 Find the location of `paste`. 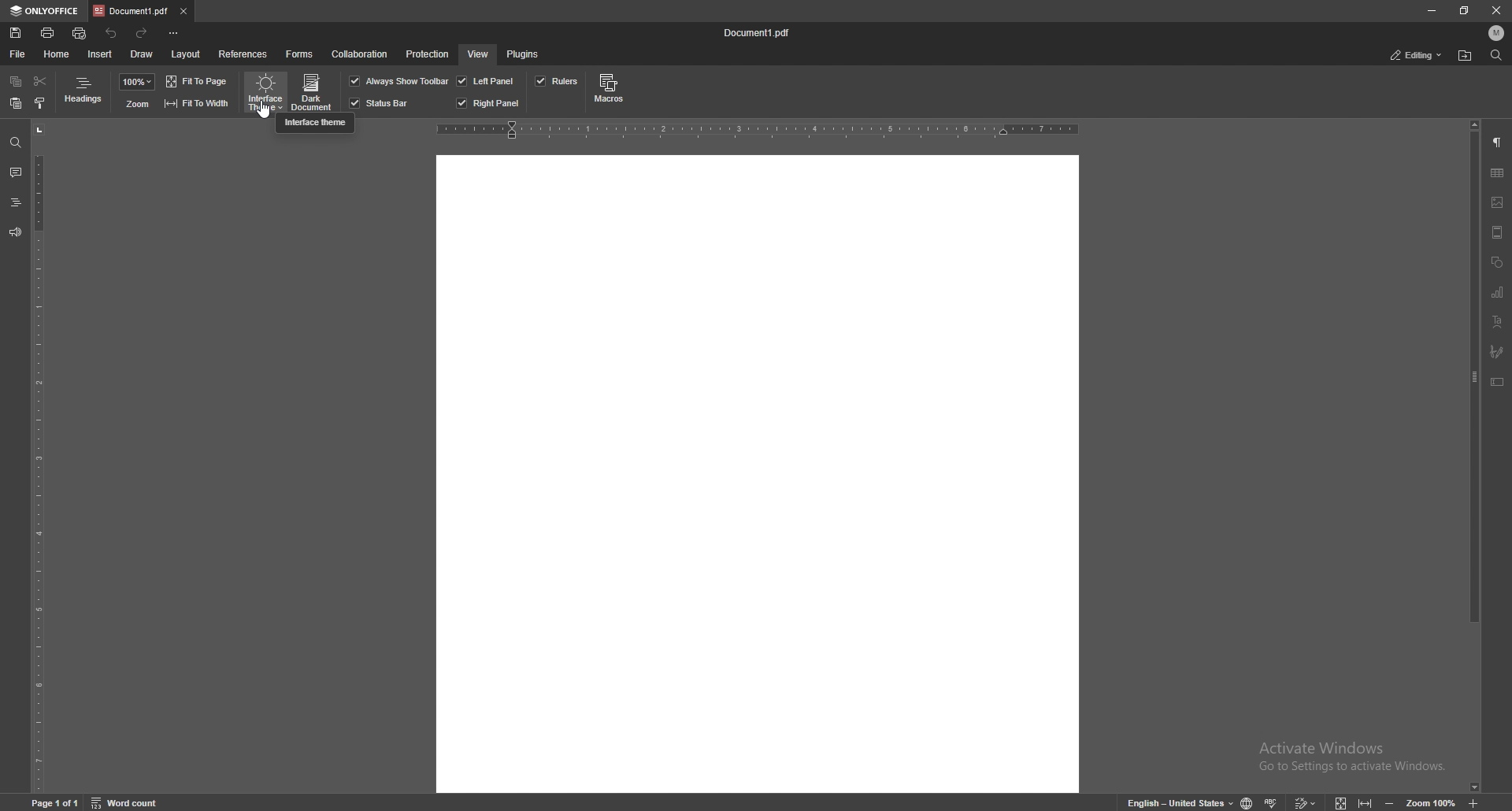

paste is located at coordinates (16, 103).